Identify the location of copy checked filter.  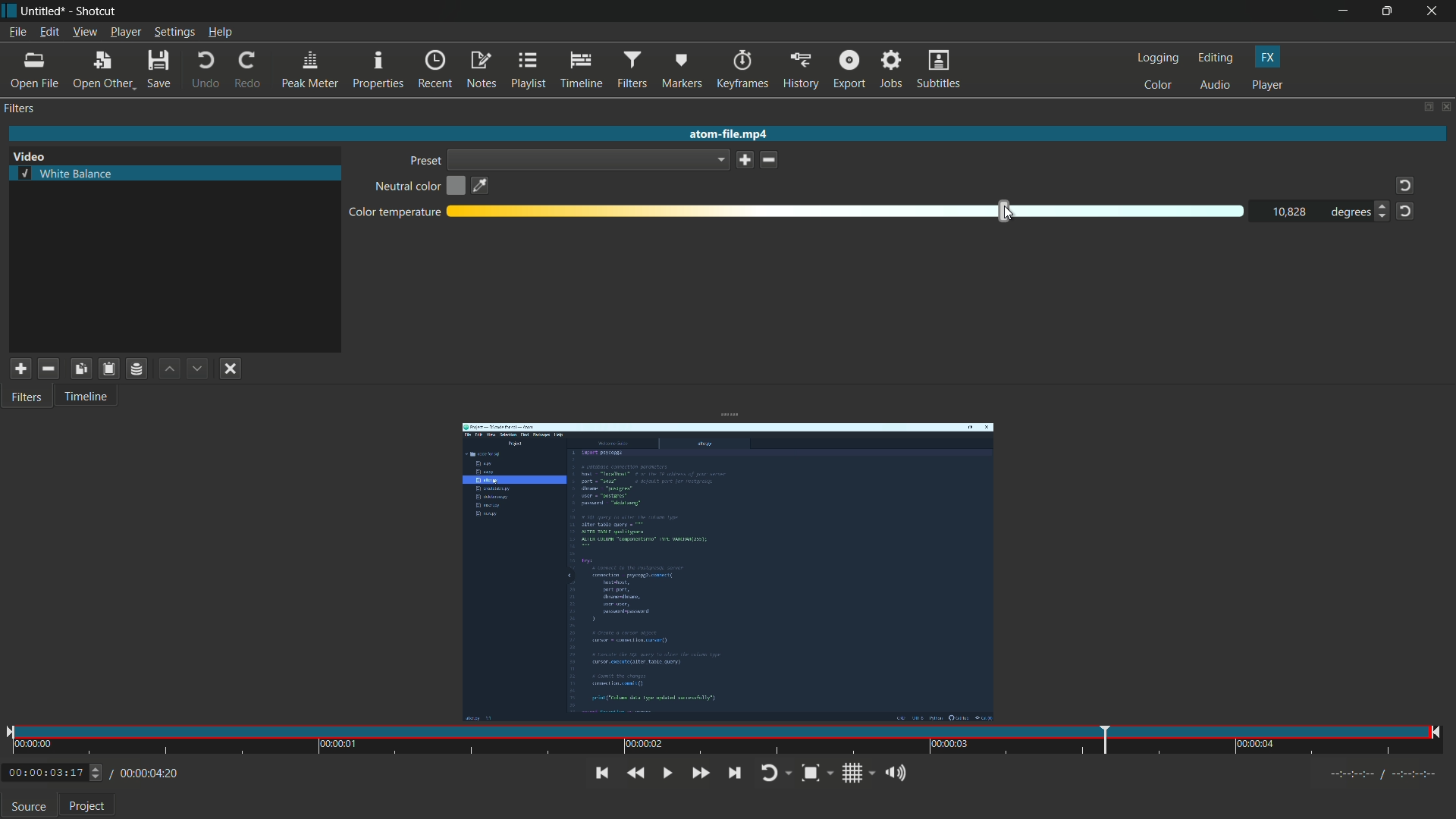
(80, 369).